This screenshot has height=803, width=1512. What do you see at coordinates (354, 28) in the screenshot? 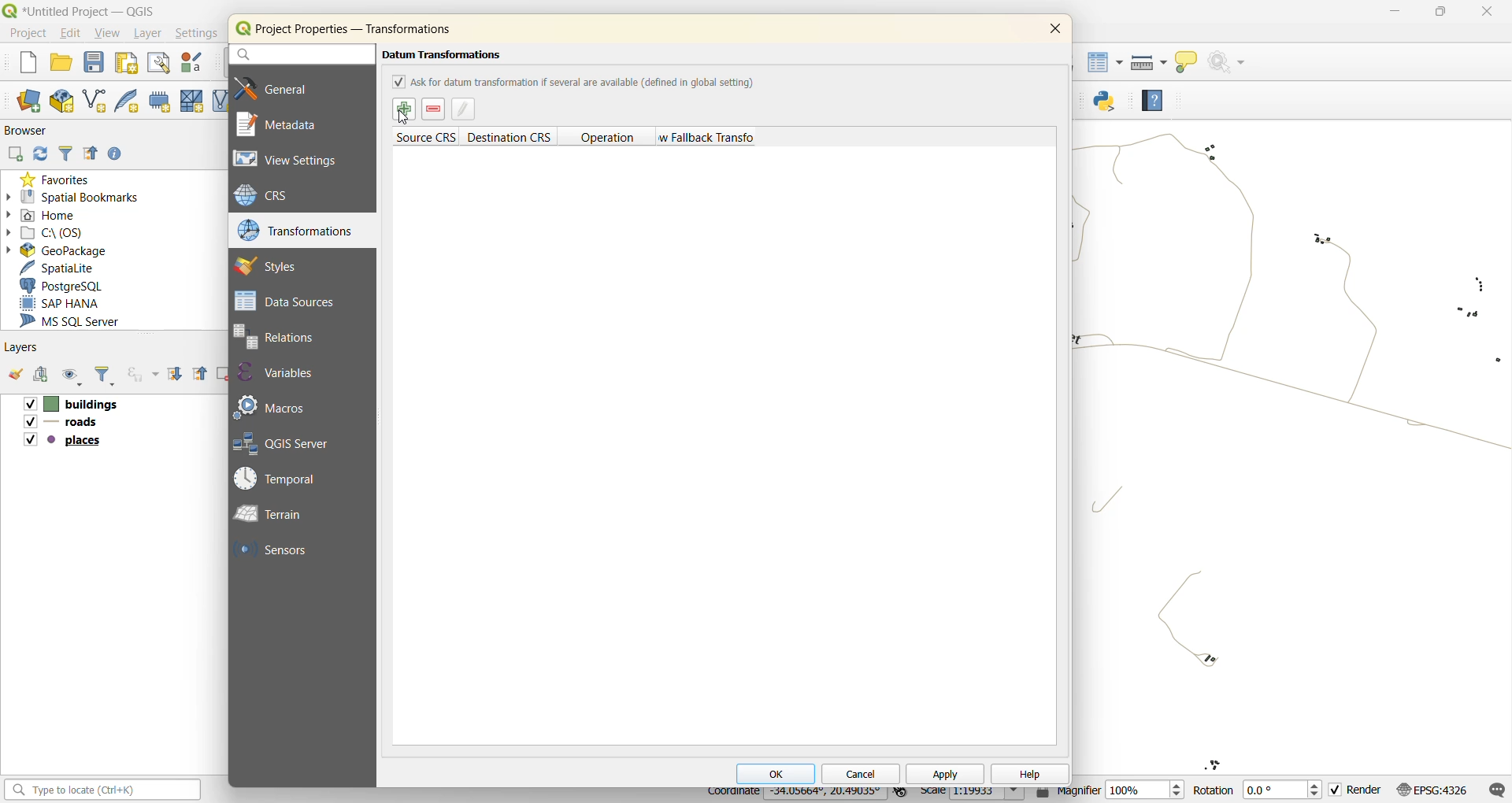
I see `Project Properties — Transformations` at bounding box center [354, 28].